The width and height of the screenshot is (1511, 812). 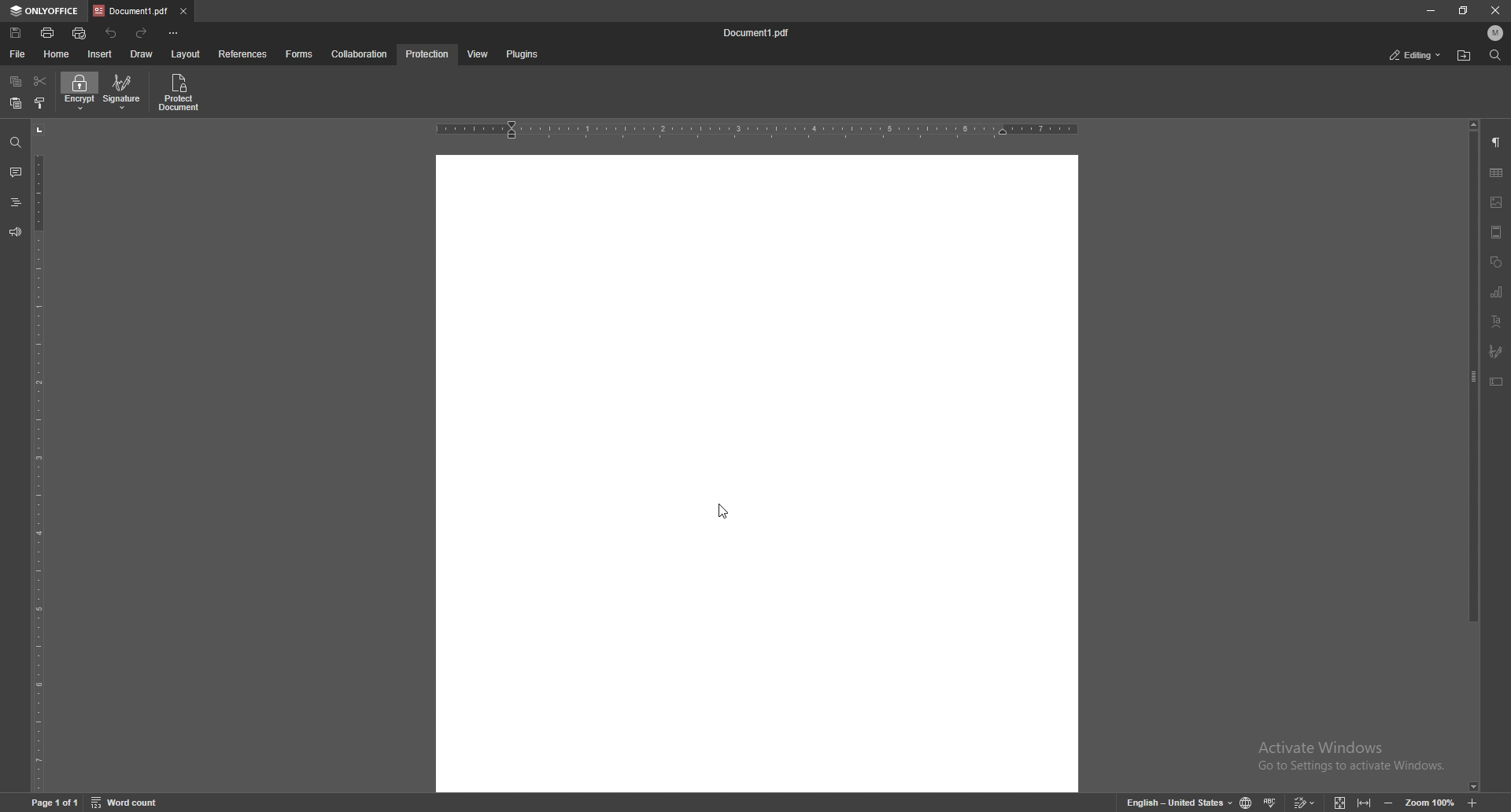 I want to click on tab, so click(x=131, y=12).